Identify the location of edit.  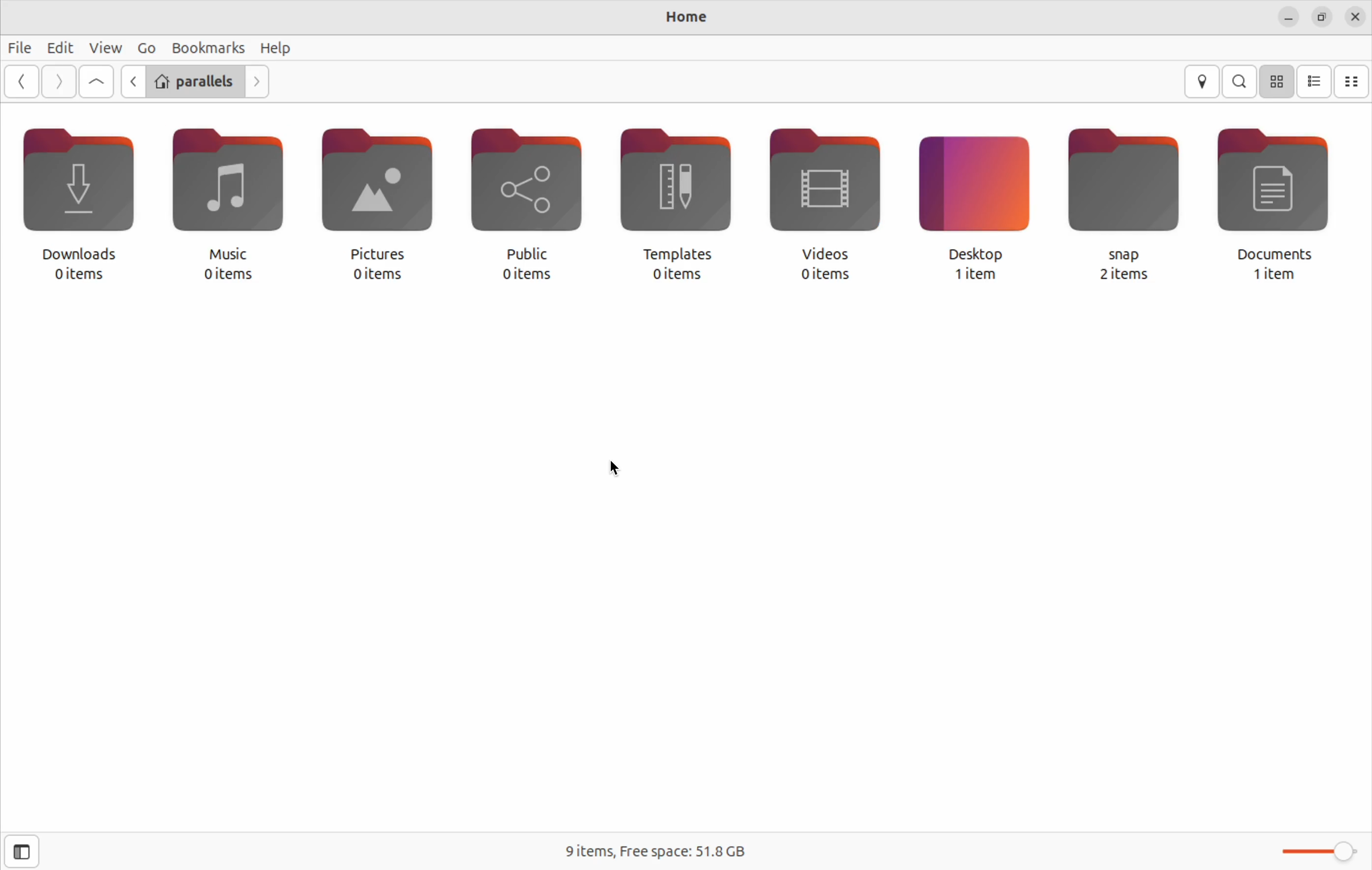
(61, 48).